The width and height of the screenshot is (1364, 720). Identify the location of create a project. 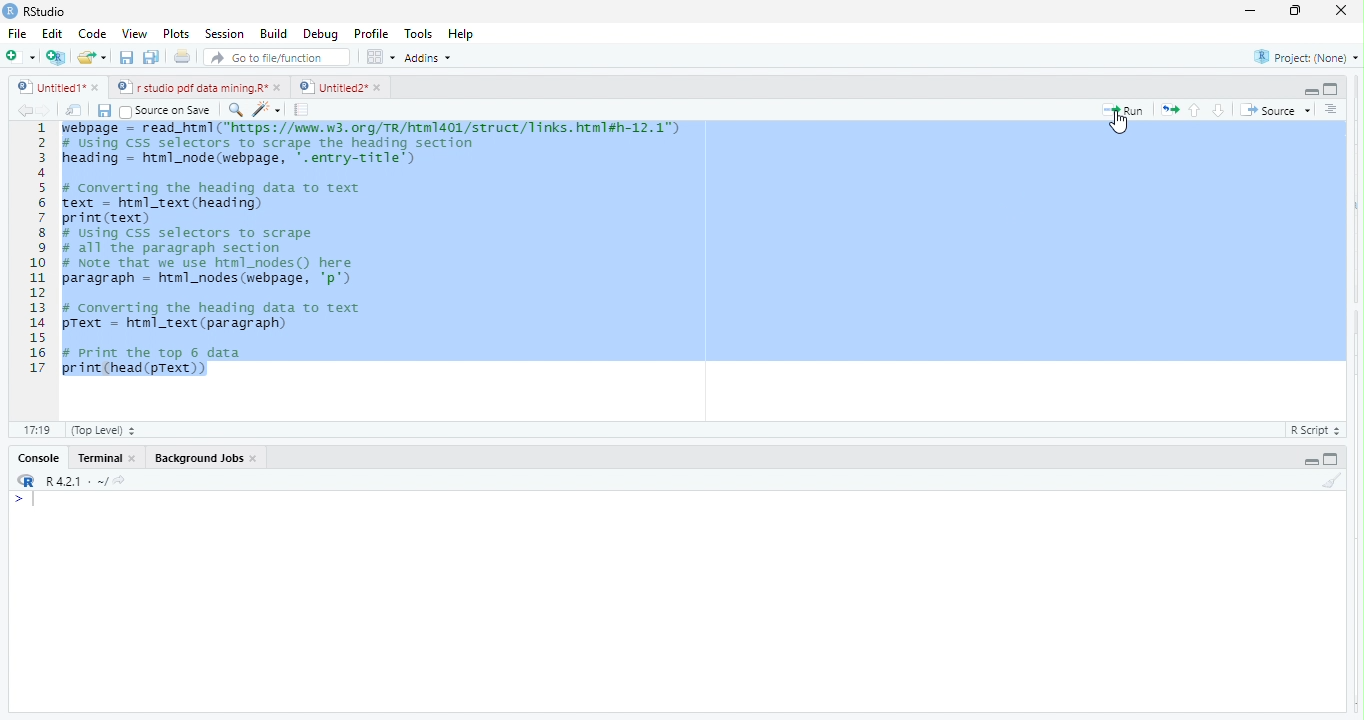
(54, 57).